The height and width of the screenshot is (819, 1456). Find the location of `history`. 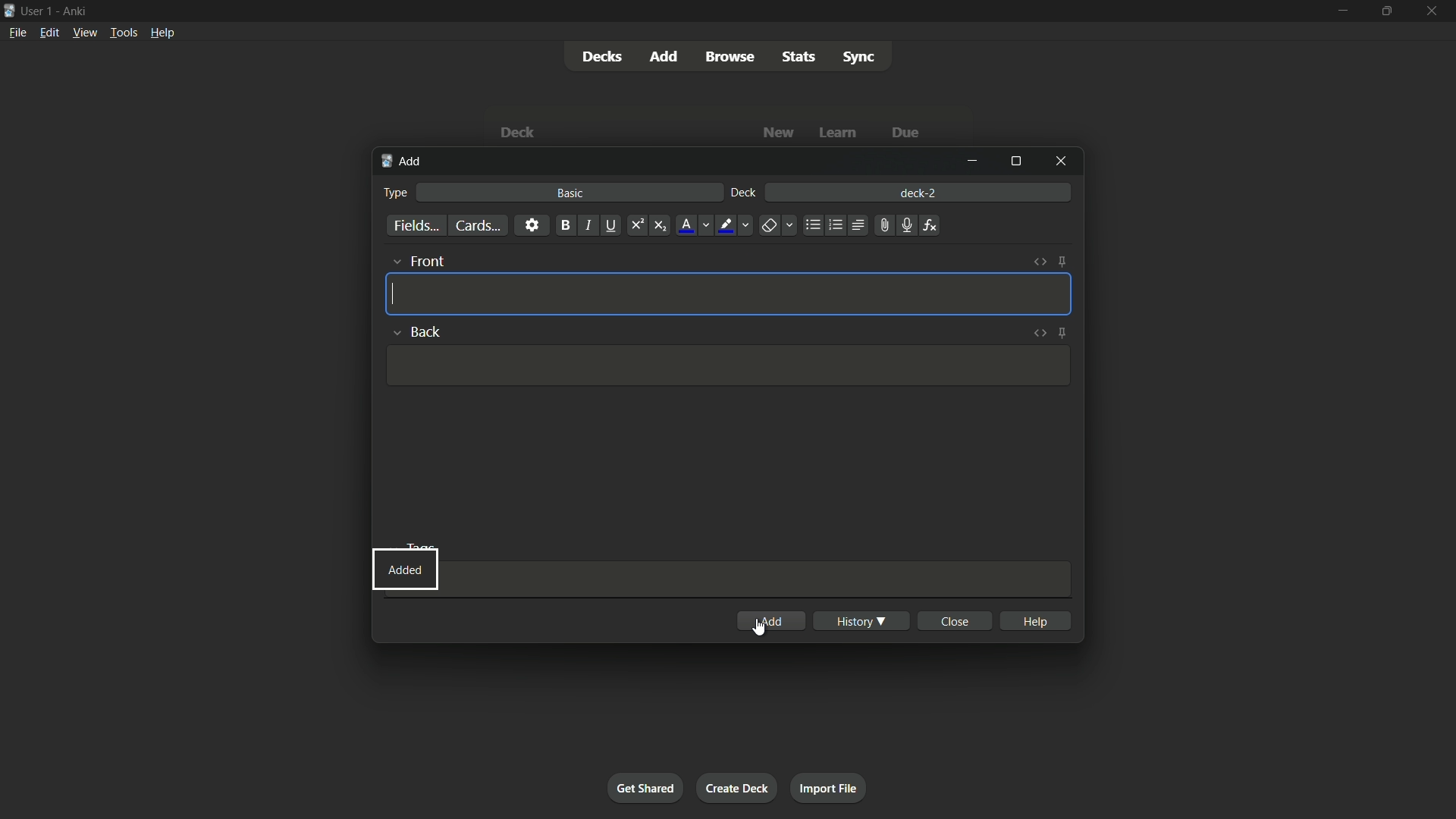

history is located at coordinates (861, 620).